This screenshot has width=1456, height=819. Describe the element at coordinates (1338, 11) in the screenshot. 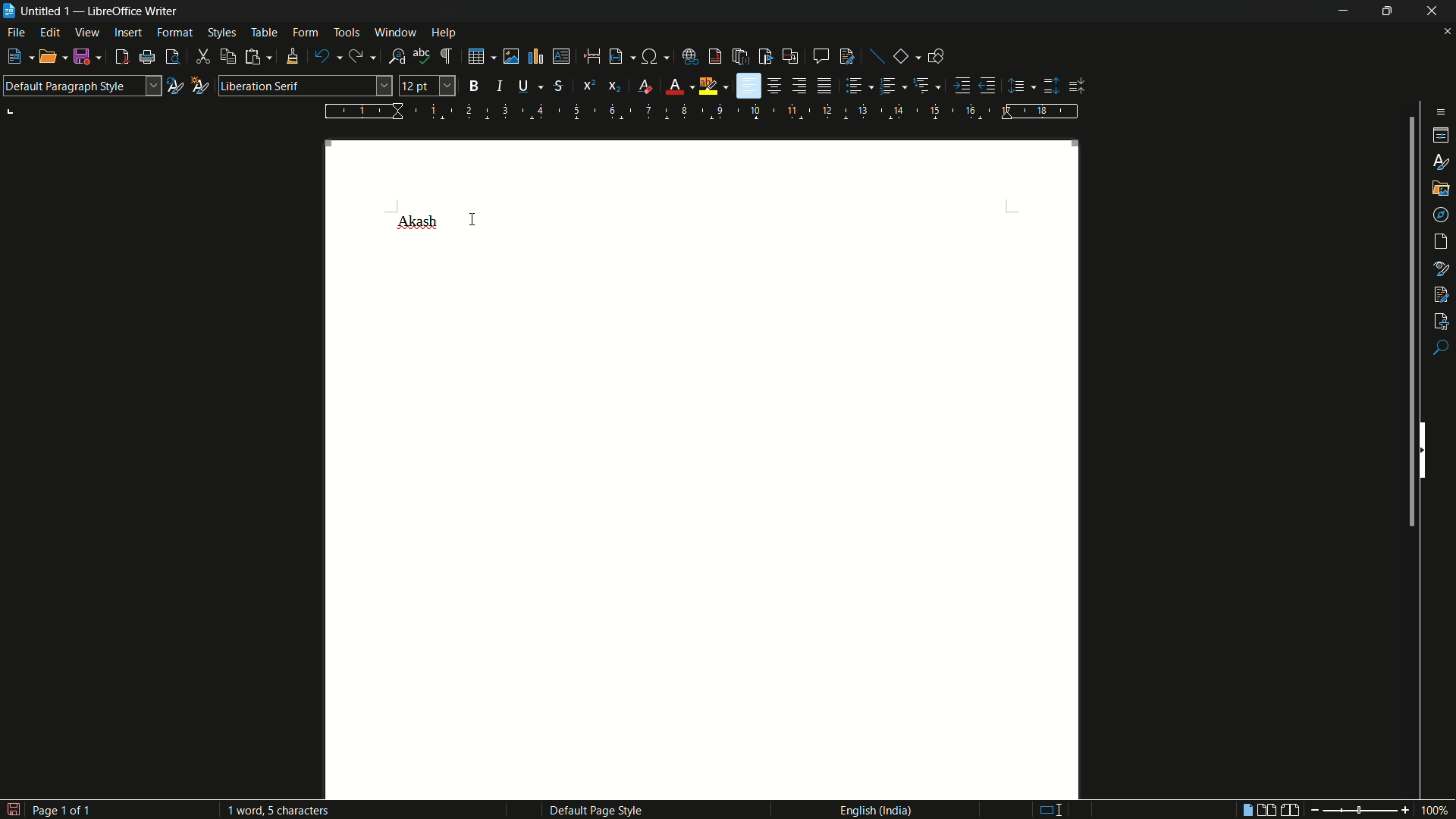

I see `minimize` at that location.